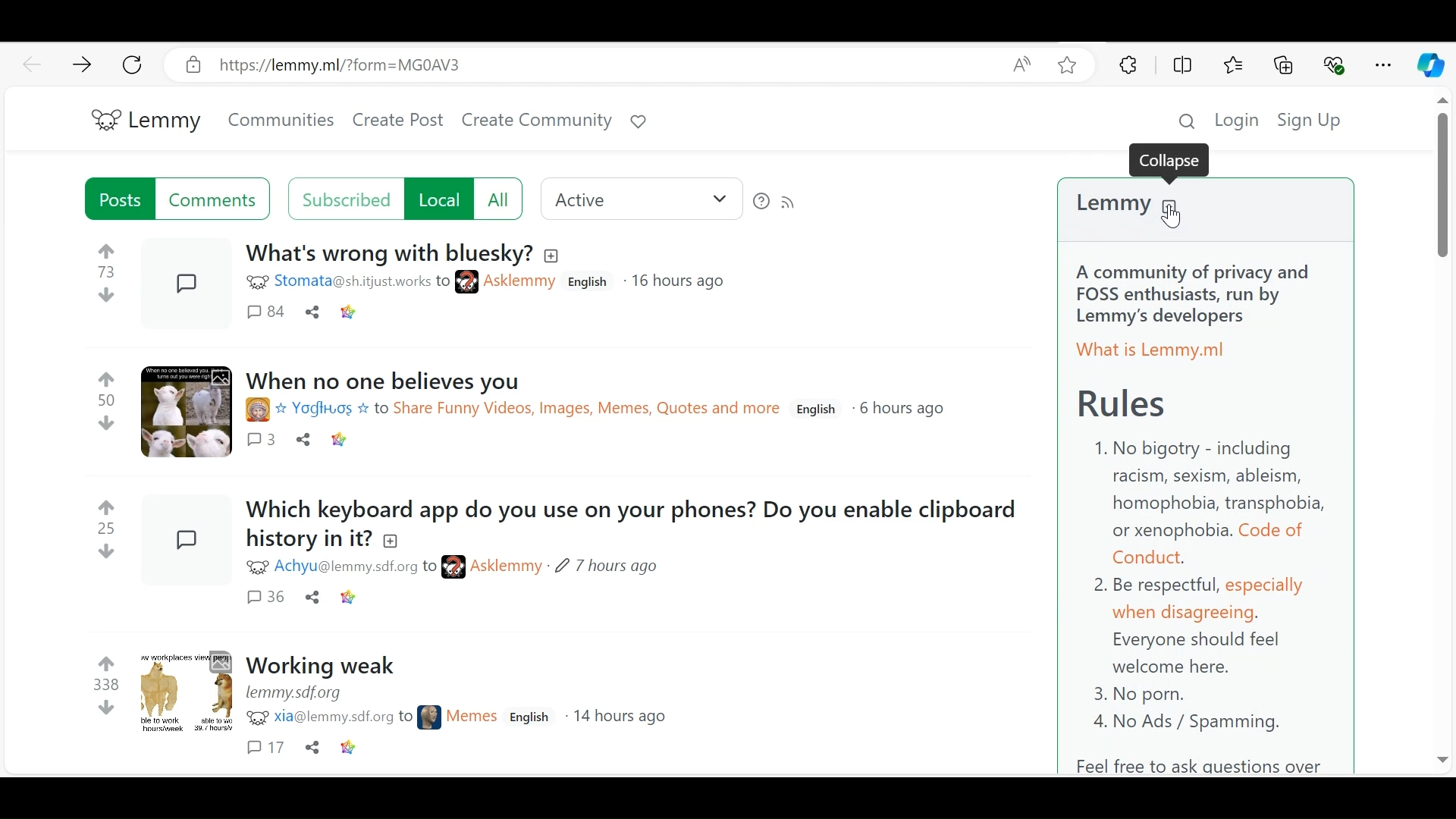 Image resolution: width=1456 pixels, height=819 pixels. What do you see at coordinates (327, 665) in the screenshot?
I see `Title` at bounding box center [327, 665].